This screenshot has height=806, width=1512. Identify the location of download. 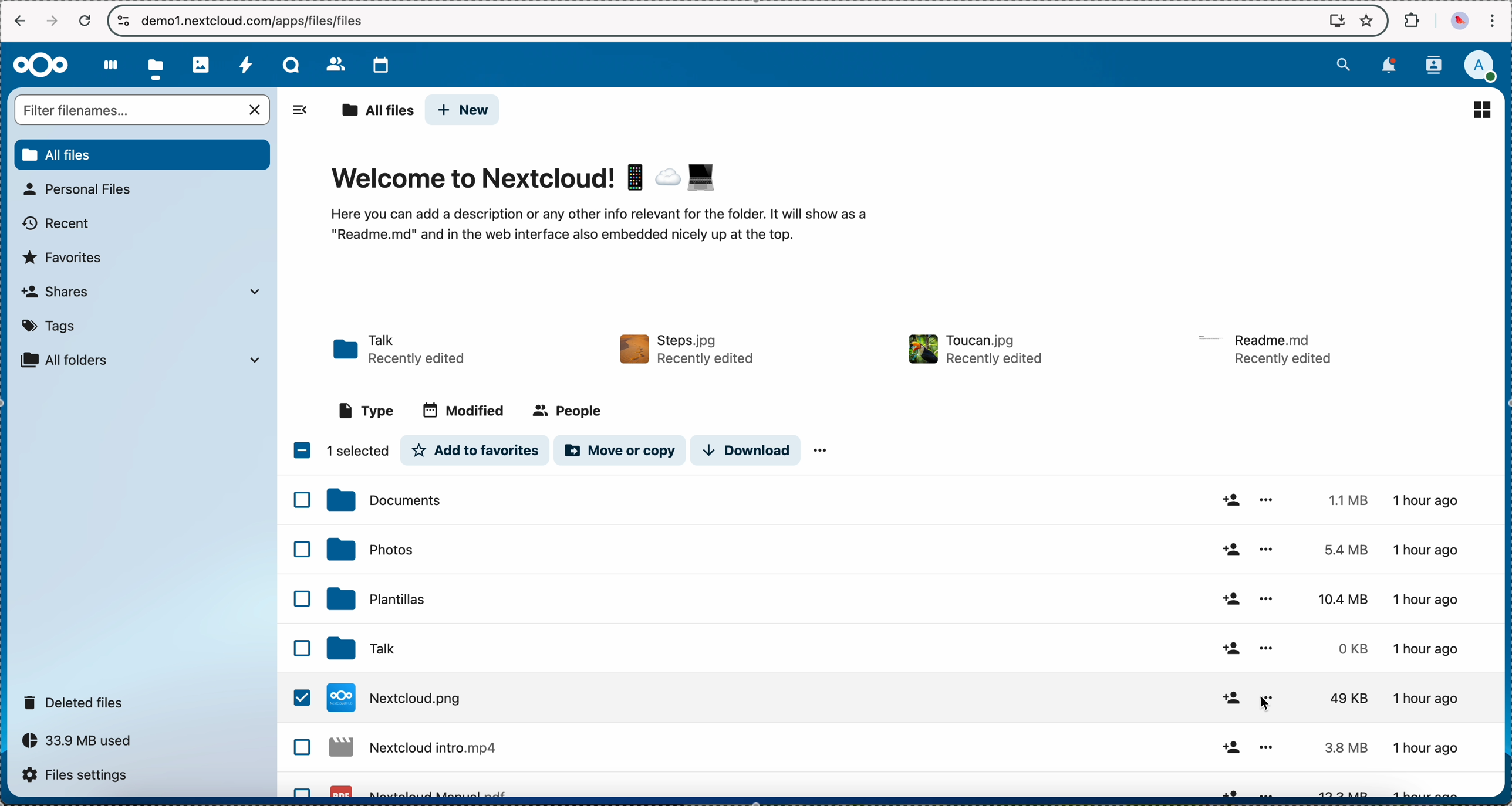
(747, 450).